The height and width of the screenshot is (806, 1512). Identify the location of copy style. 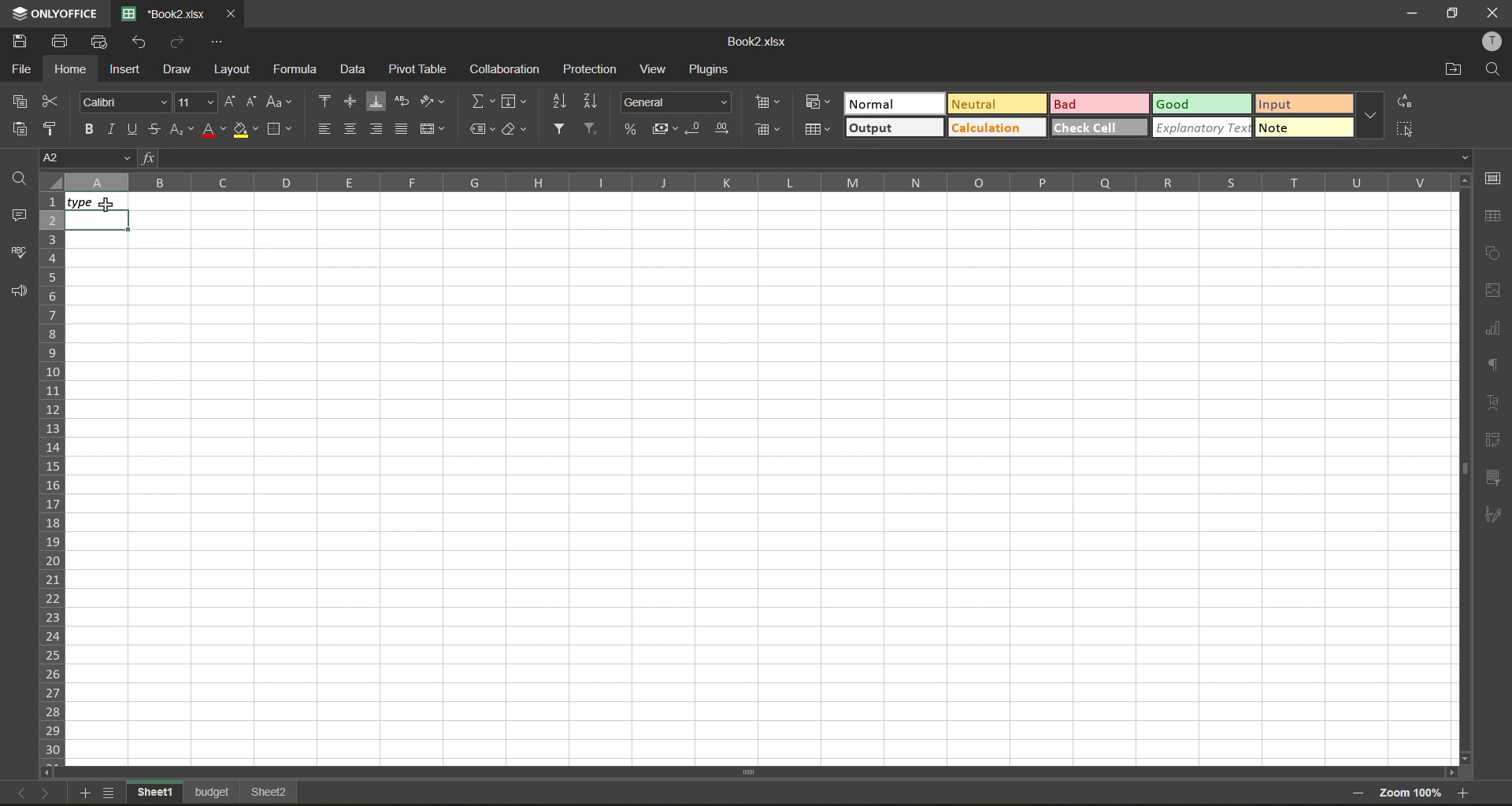
(52, 128).